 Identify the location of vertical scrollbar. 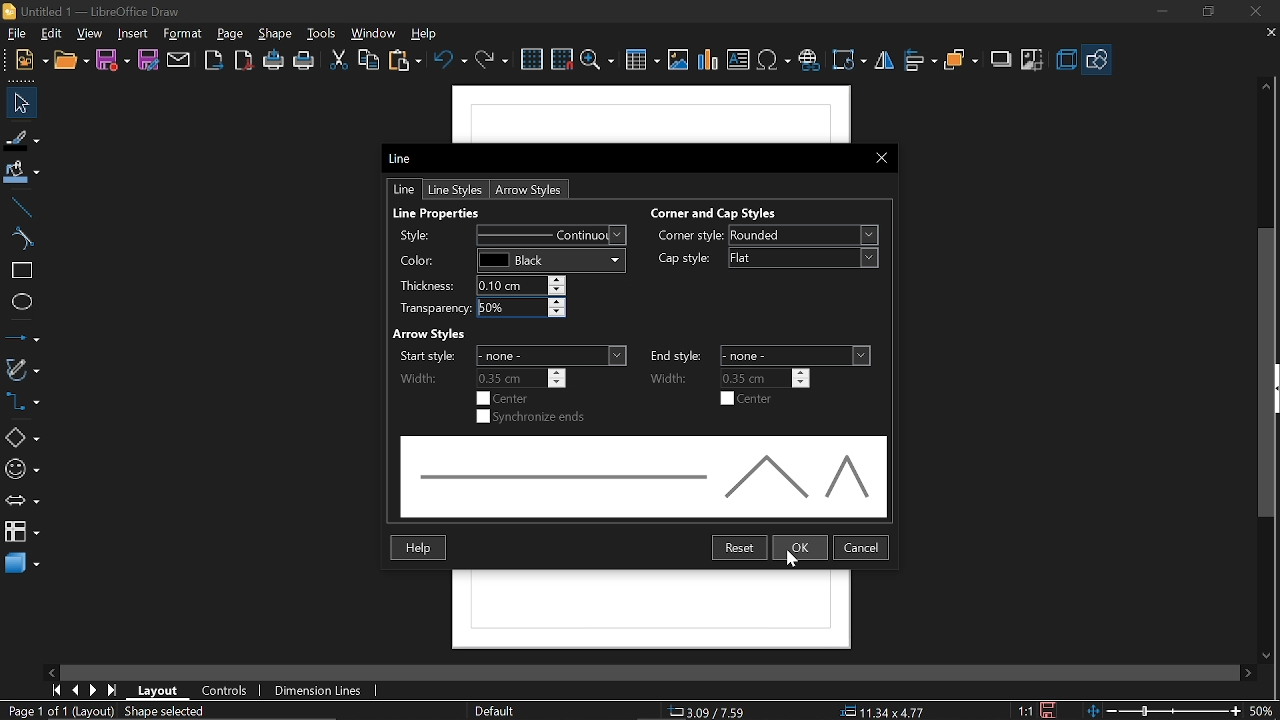
(1266, 372).